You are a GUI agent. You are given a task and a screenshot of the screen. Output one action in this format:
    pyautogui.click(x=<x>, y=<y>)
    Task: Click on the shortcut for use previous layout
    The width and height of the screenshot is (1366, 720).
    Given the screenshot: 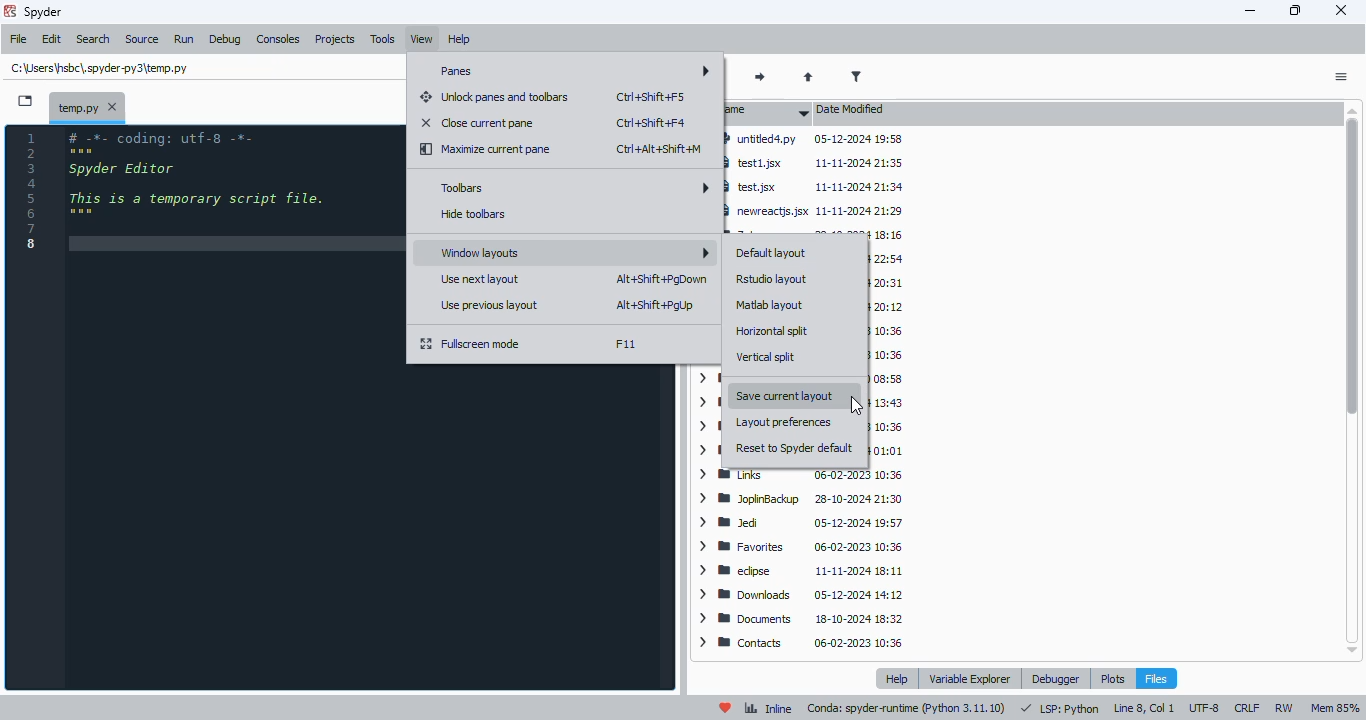 What is the action you would take?
    pyautogui.click(x=655, y=306)
    